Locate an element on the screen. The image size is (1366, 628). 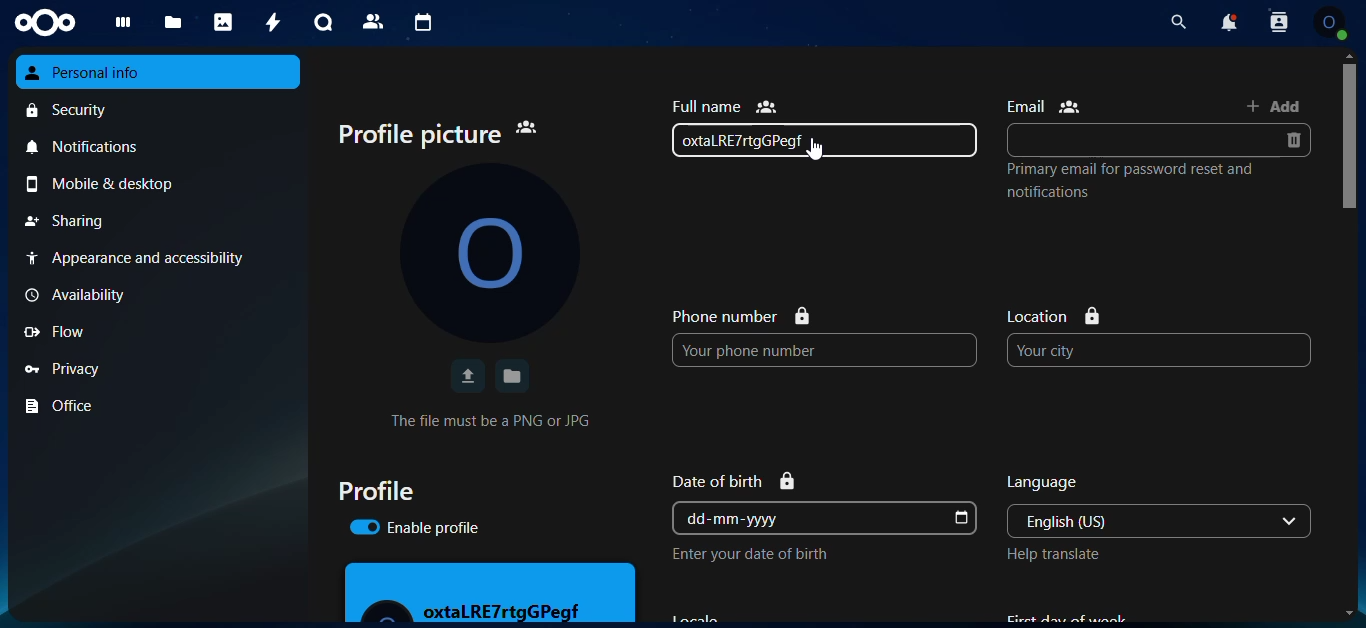
profile preview is located at coordinates (491, 592).